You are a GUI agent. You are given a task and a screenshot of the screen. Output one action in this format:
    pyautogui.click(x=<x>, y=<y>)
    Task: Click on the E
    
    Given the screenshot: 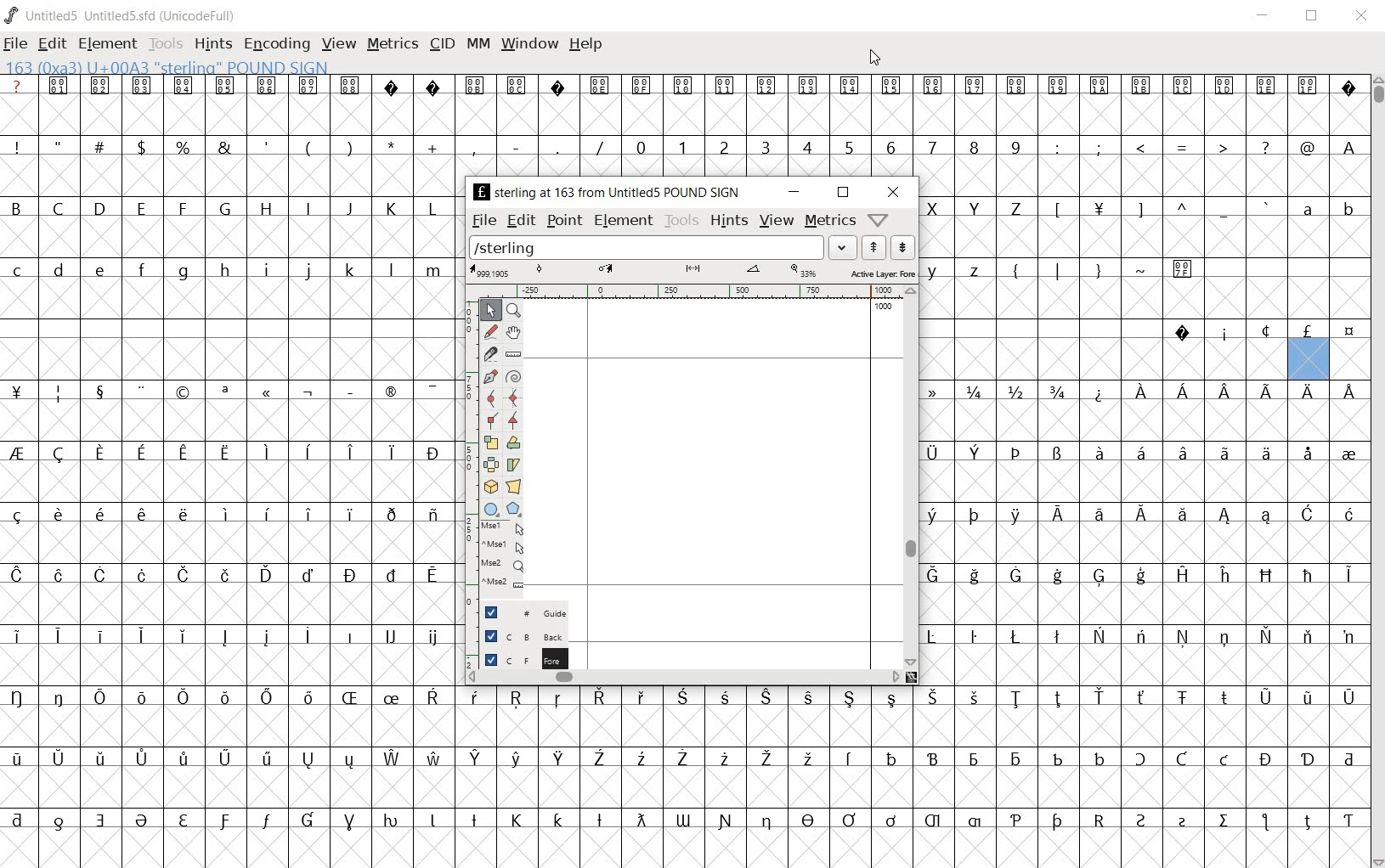 What is the action you would take?
    pyautogui.click(x=140, y=208)
    